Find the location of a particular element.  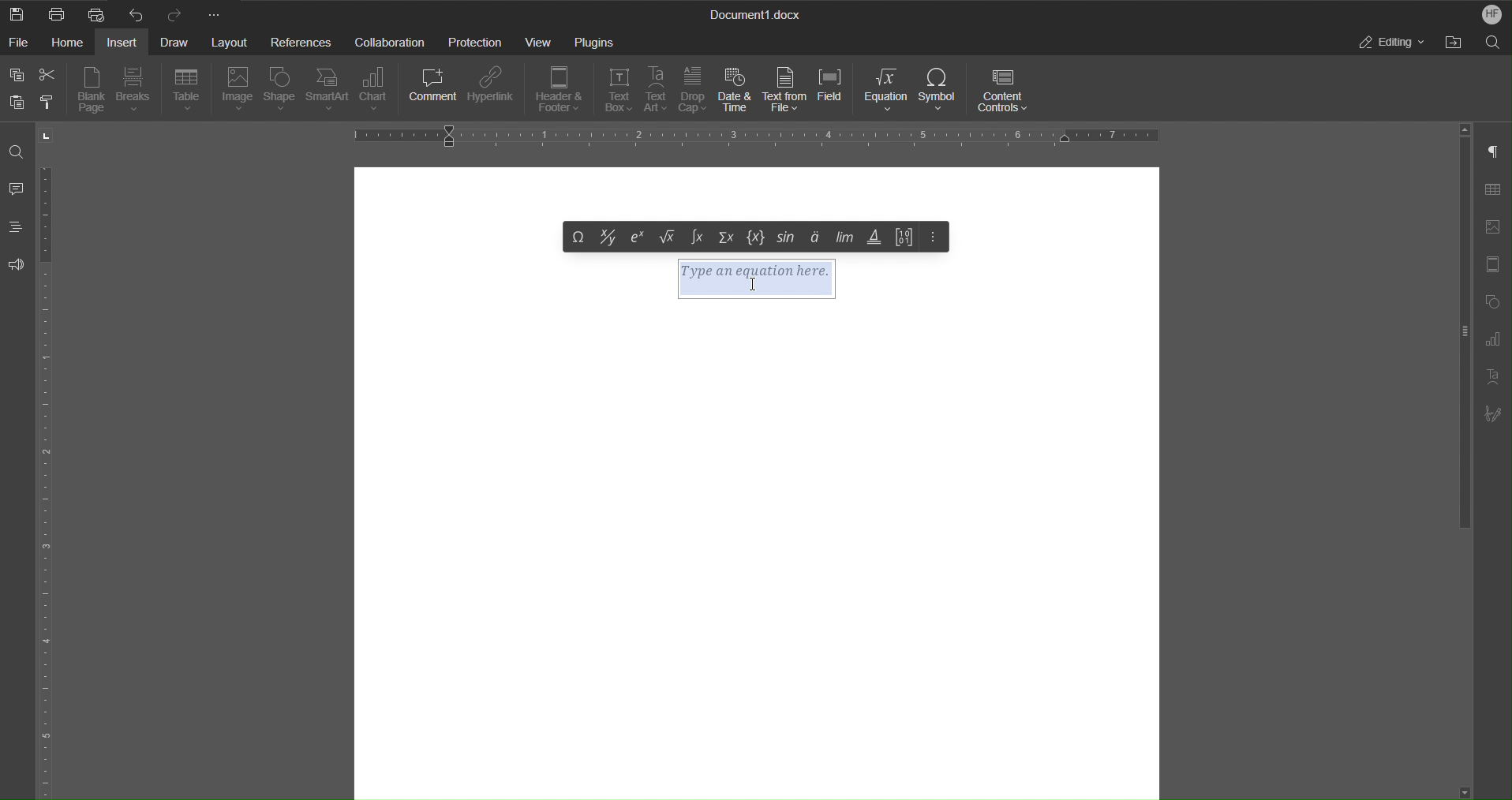

Matrix is located at coordinates (903, 237).